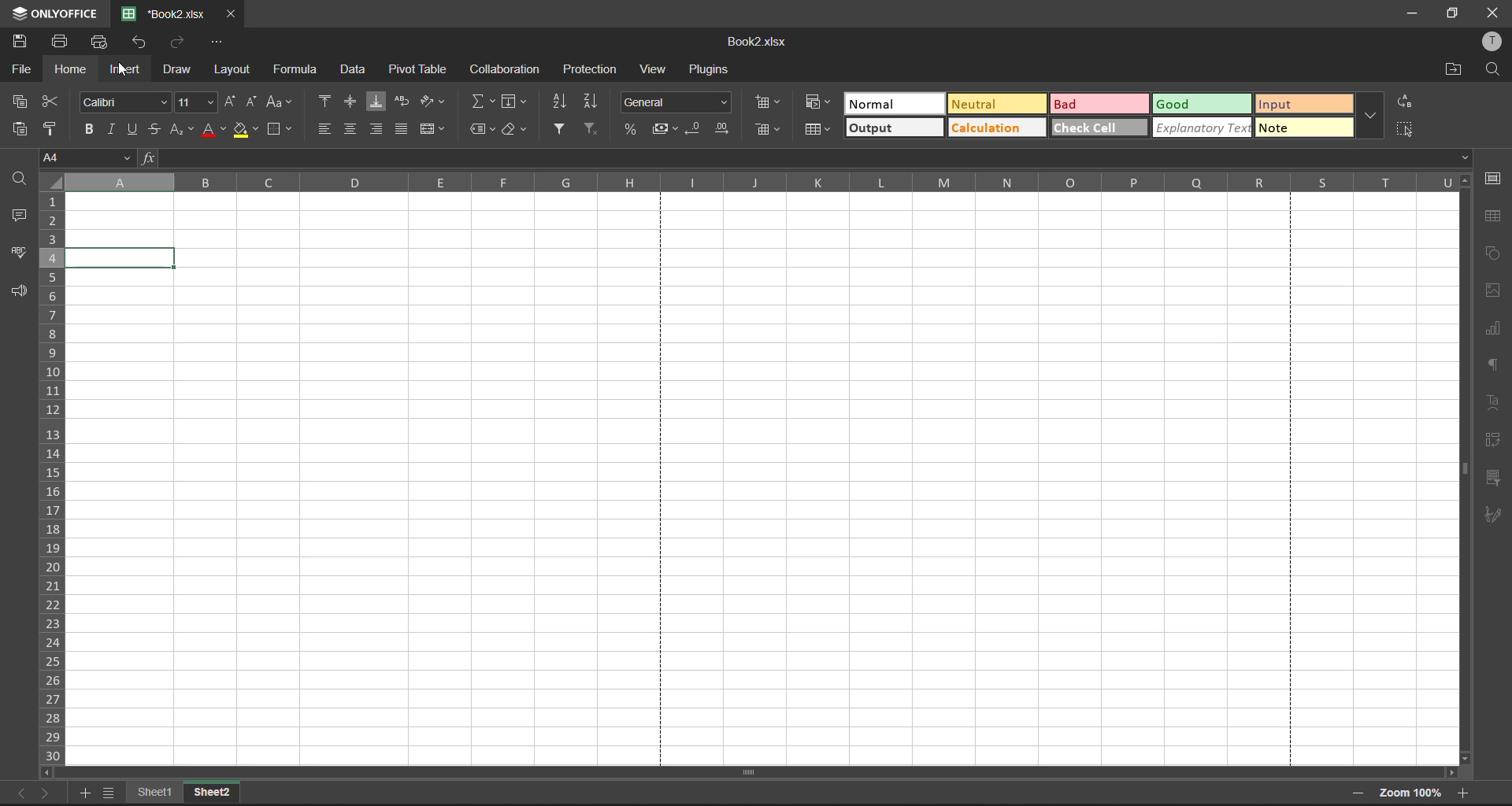  Describe the element at coordinates (404, 128) in the screenshot. I see `justified` at that location.